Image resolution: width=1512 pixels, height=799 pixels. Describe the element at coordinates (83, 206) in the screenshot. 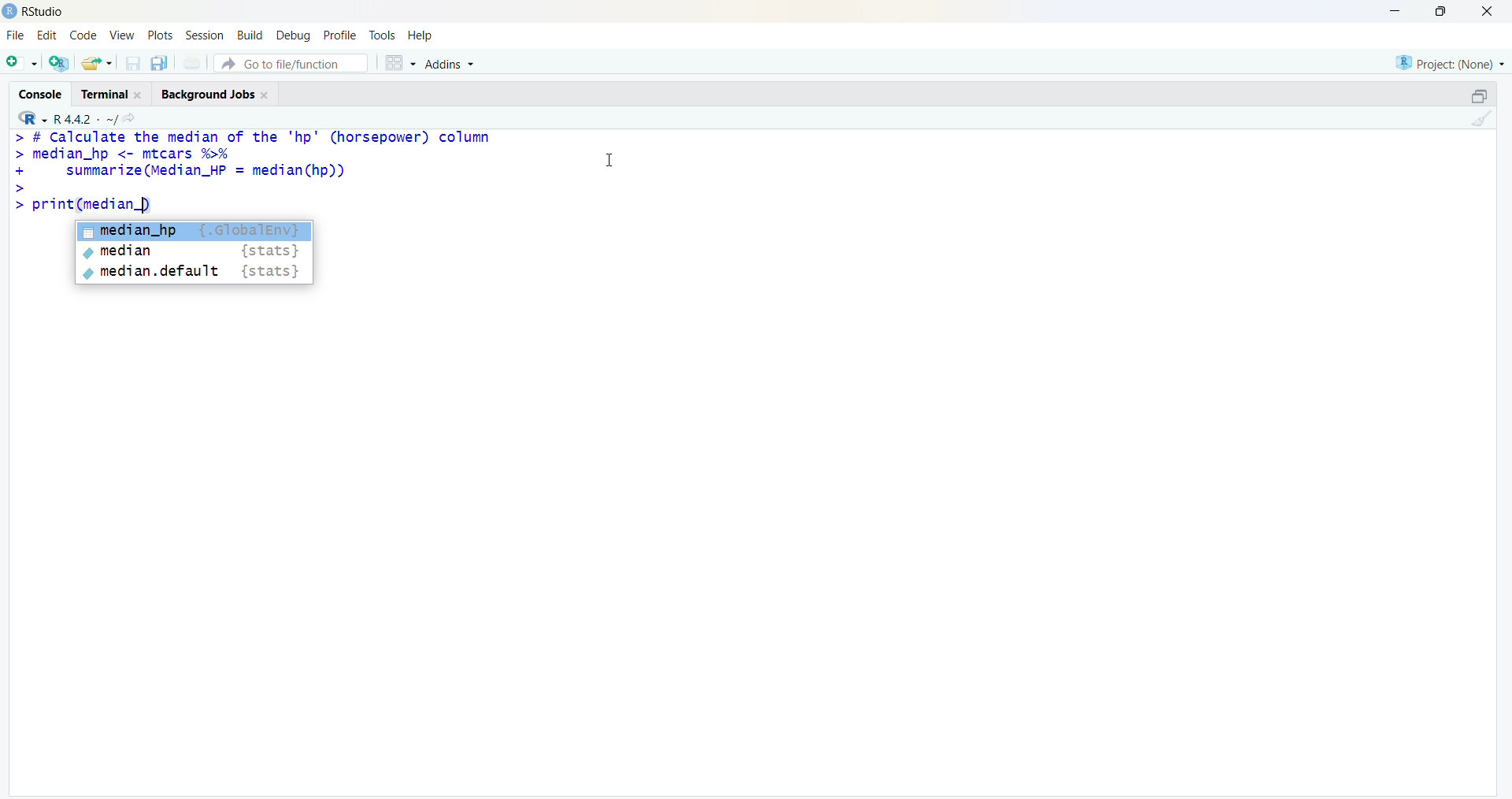

I see `> print(median_)` at that location.